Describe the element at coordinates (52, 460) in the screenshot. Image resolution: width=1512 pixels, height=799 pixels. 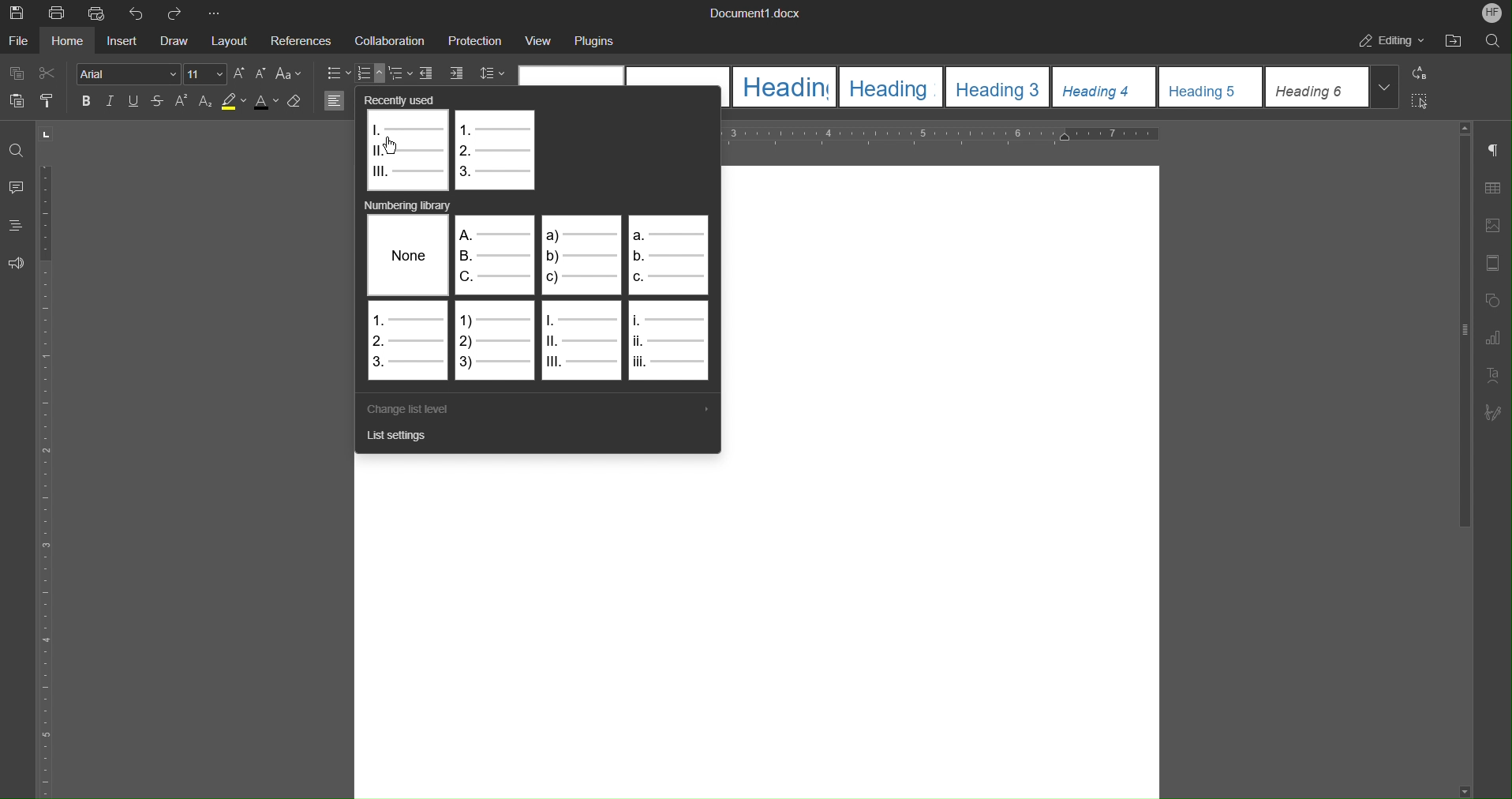
I see `Vertical Ruler` at that location.